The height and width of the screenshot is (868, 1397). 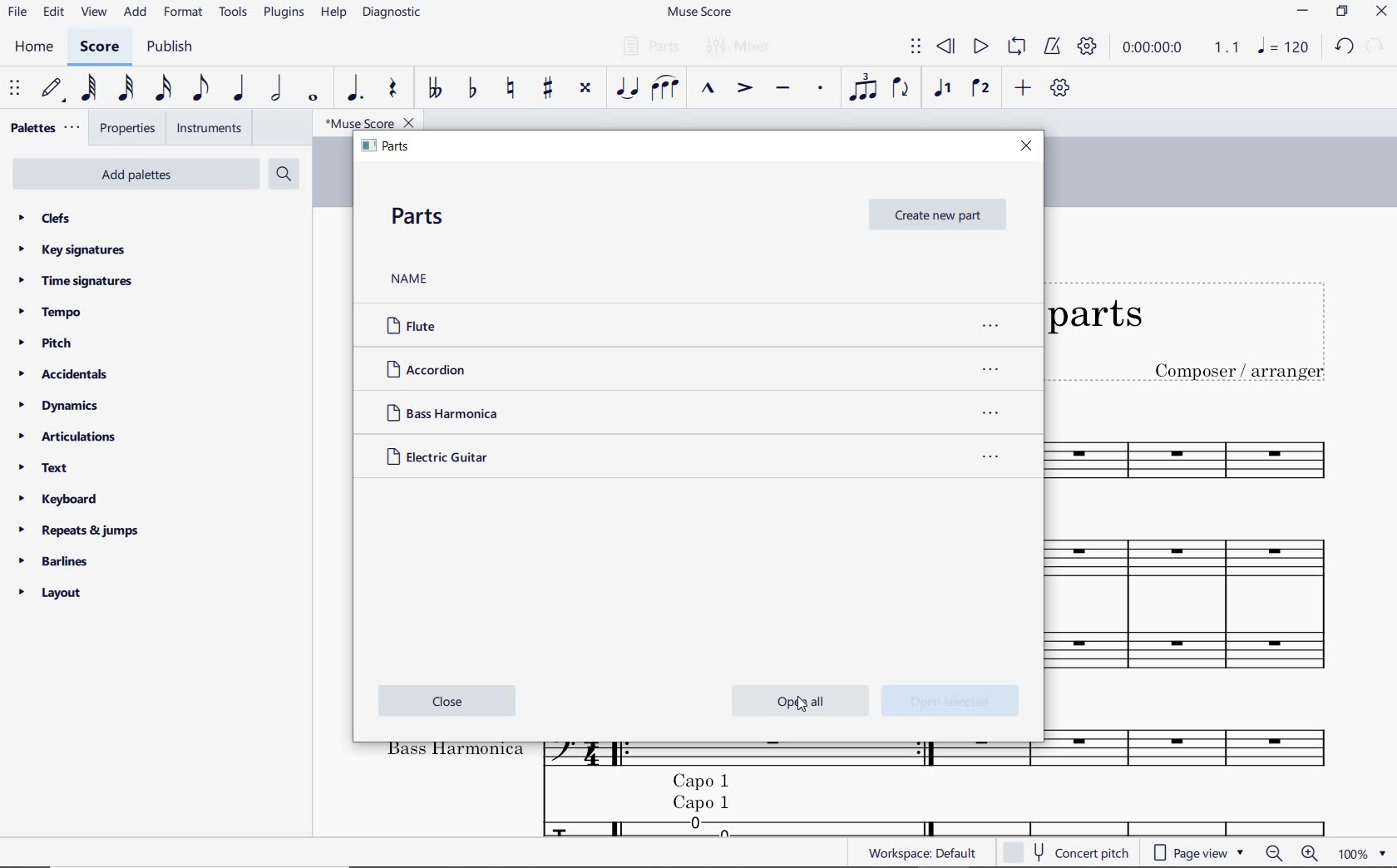 What do you see at coordinates (234, 12) in the screenshot?
I see `tools` at bounding box center [234, 12].